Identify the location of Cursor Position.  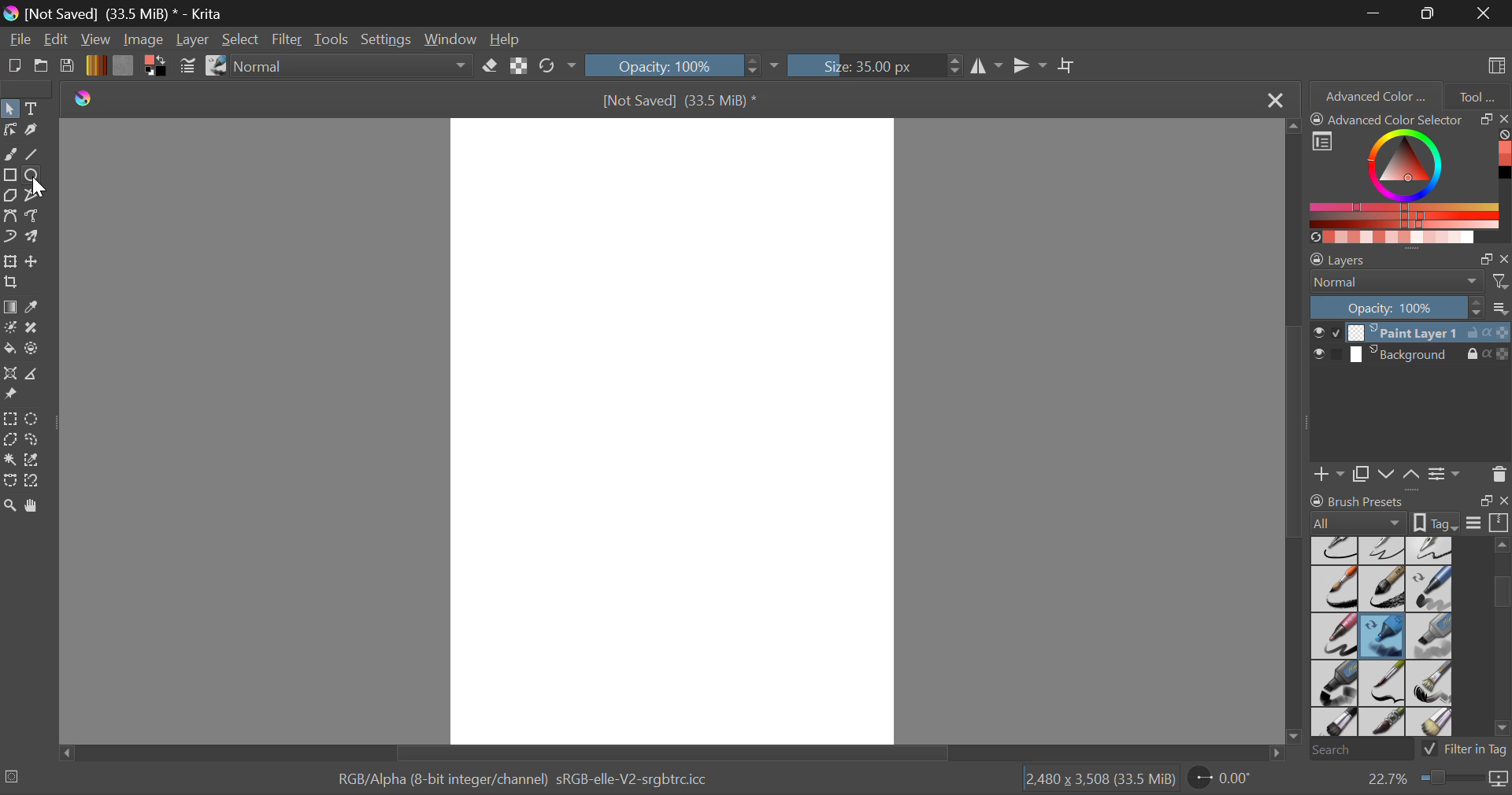
(36, 181).